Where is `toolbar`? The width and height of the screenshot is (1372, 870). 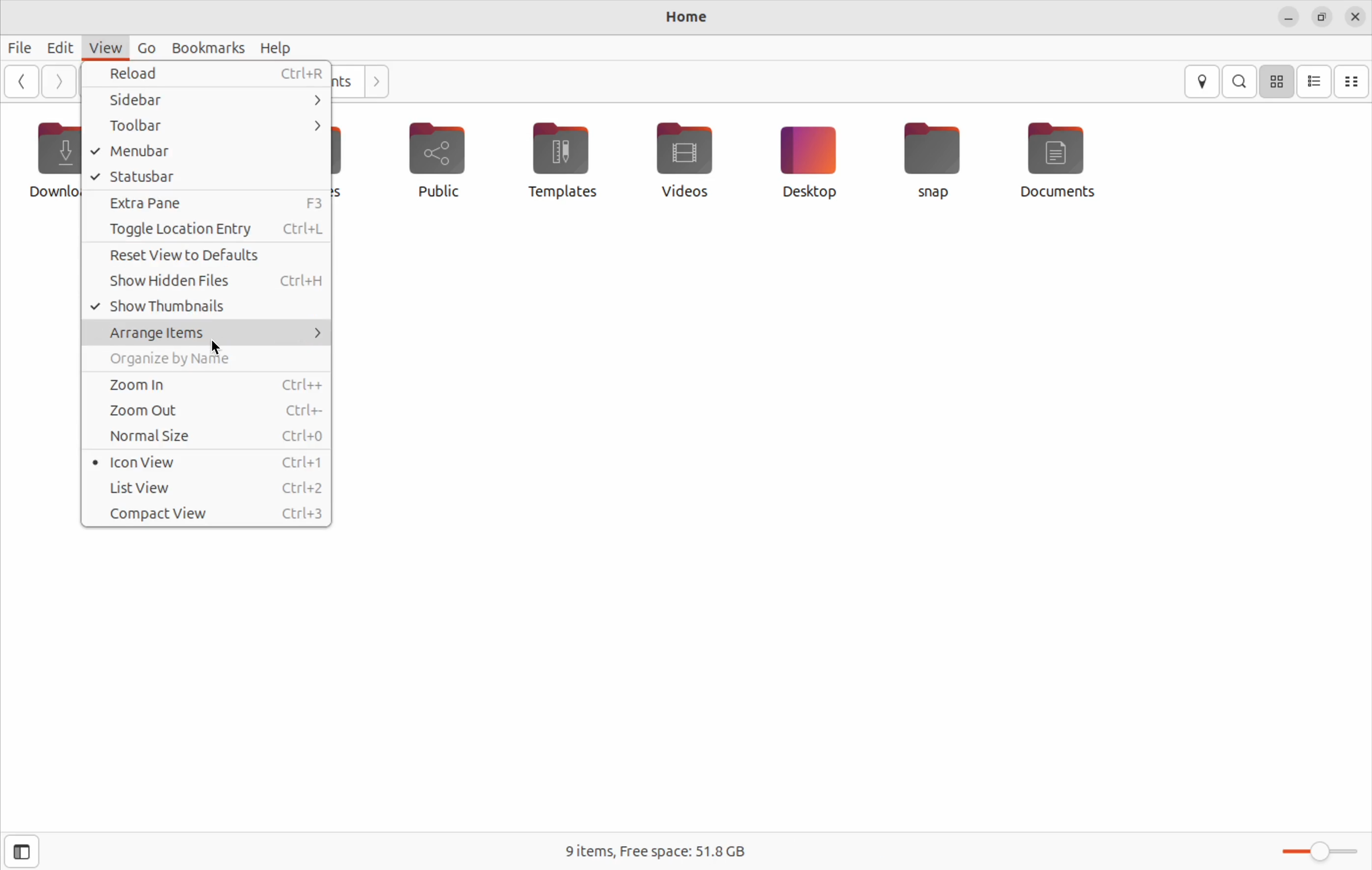 toolbar is located at coordinates (205, 126).